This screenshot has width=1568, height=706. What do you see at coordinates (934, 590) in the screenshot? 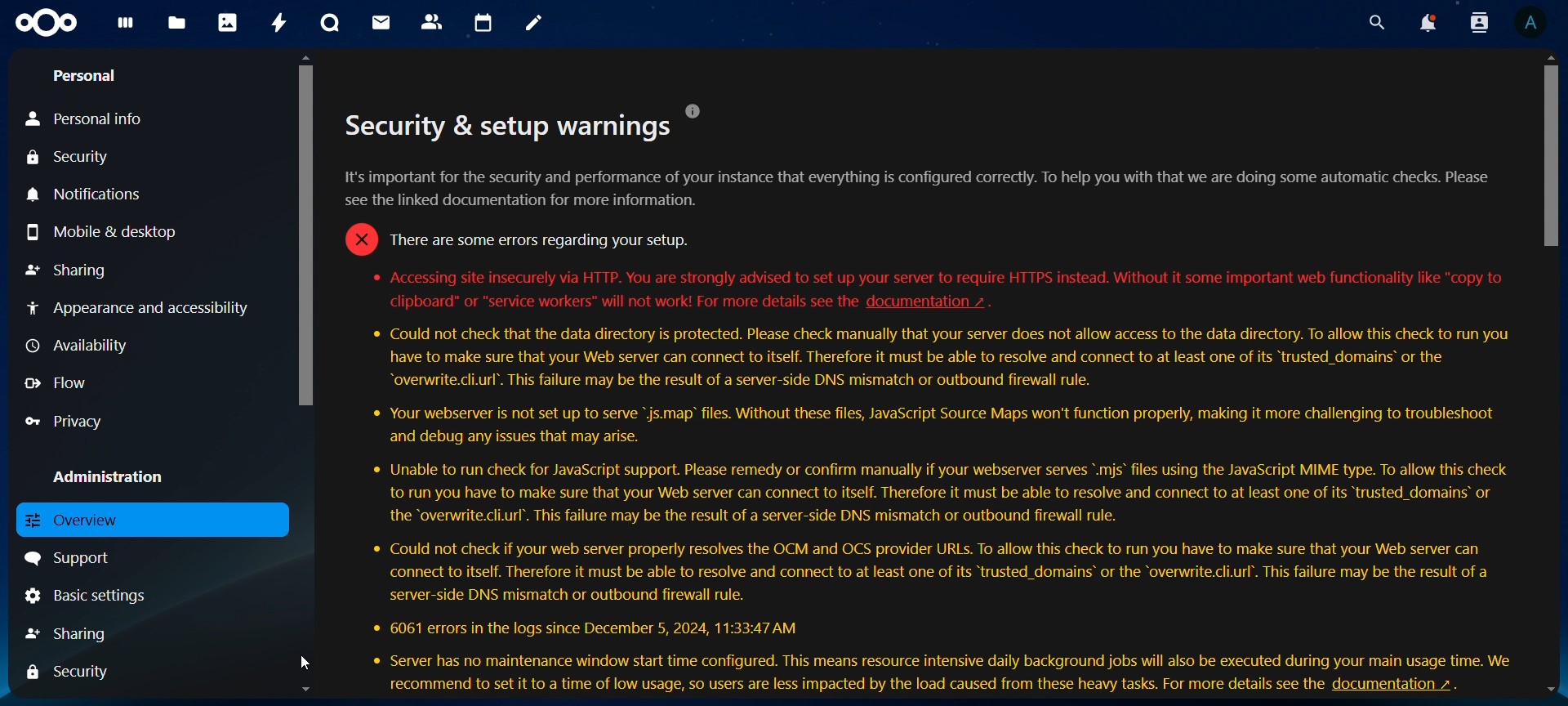
I see `* Could not check if your web server properly resolves the OCM and OCS provider URLs. To allow this check to run you have to make sure that your Web server can
connect to itself. Therefore it must be able to resolve and connect to at least one of its “trusted_domains® or the “overwrite.cli.url’. This failure may be the result of a
server-side DNS mismatch or outbound firewall rule.

* 6061 errors in the logs since December 5, 2024, 11:33:47 AM` at bounding box center [934, 590].